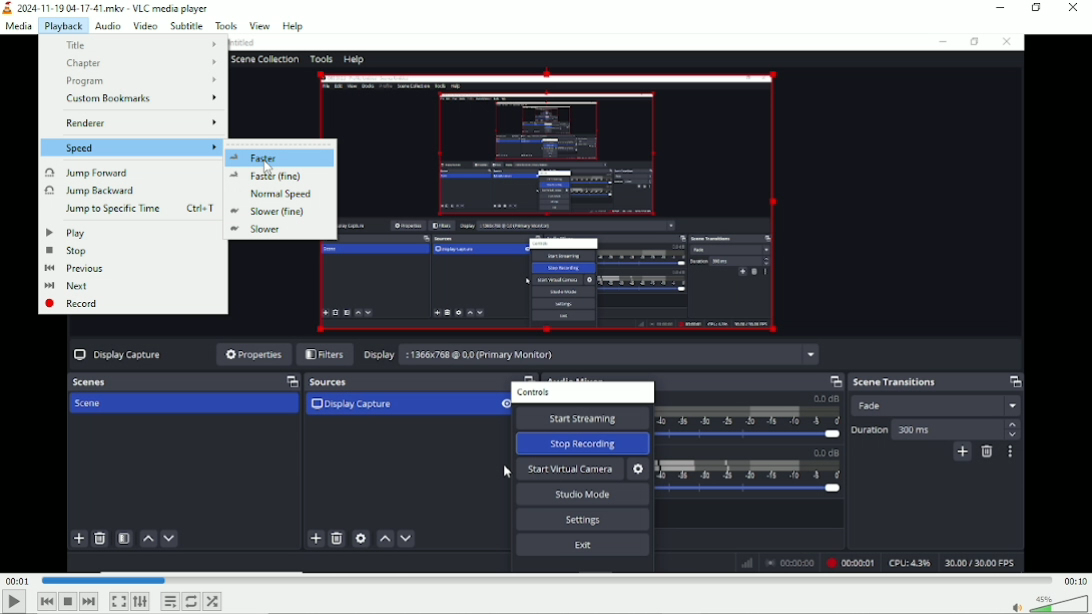  Describe the element at coordinates (269, 167) in the screenshot. I see `cursor` at that location.